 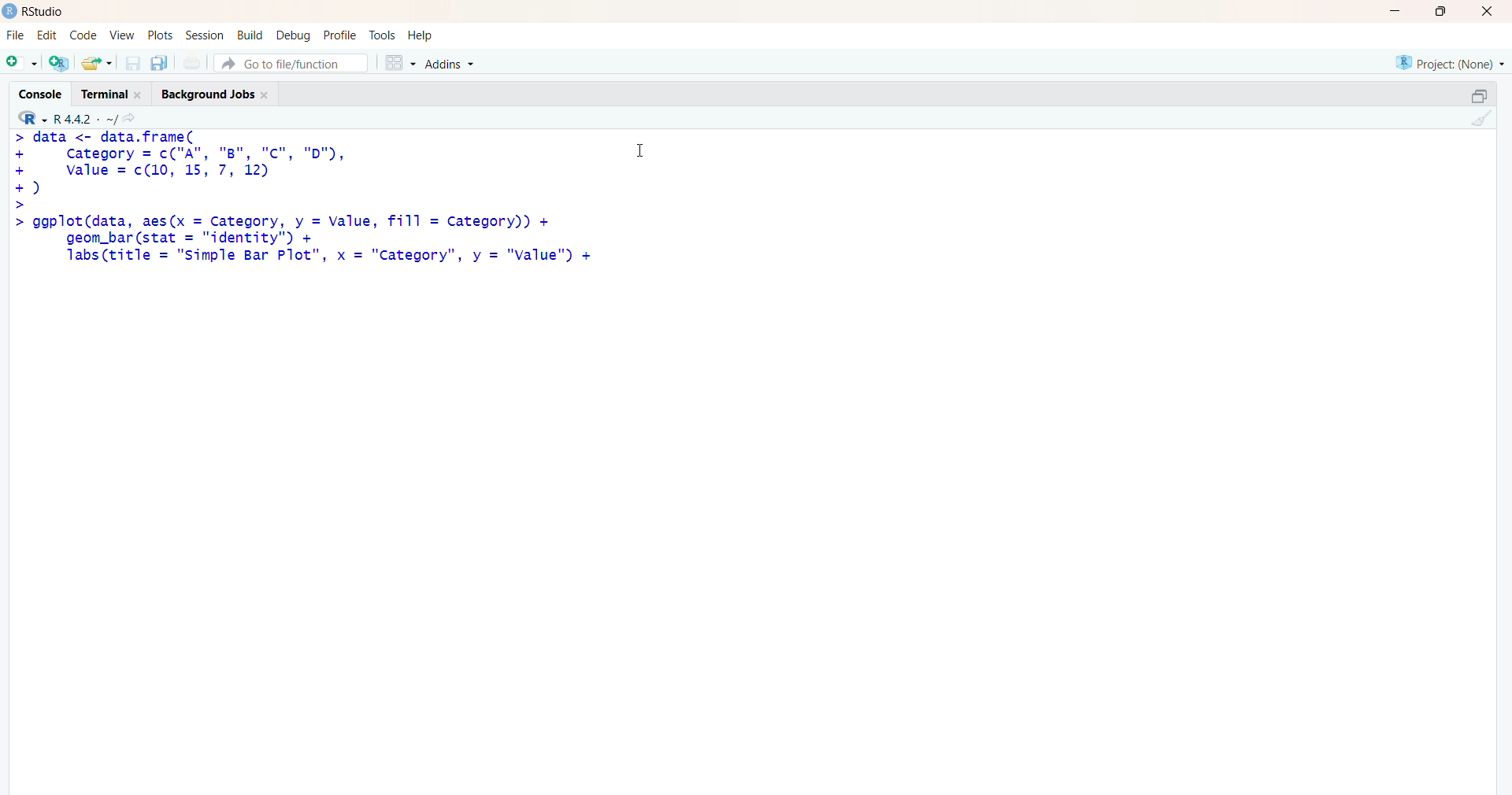 What do you see at coordinates (16, 35) in the screenshot?
I see `File` at bounding box center [16, 35].